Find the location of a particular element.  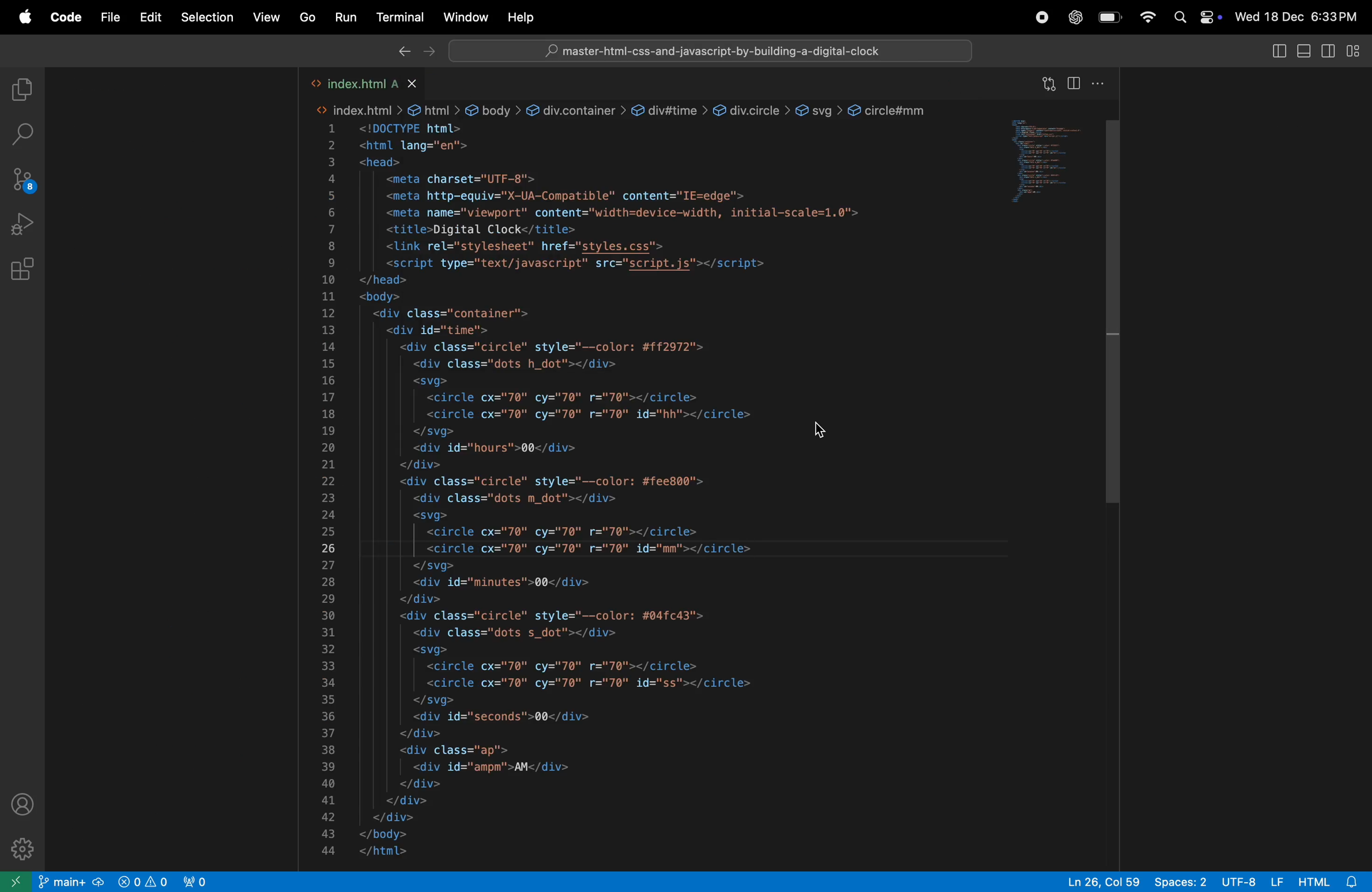

Search bar is located at coordinates (713, 50).